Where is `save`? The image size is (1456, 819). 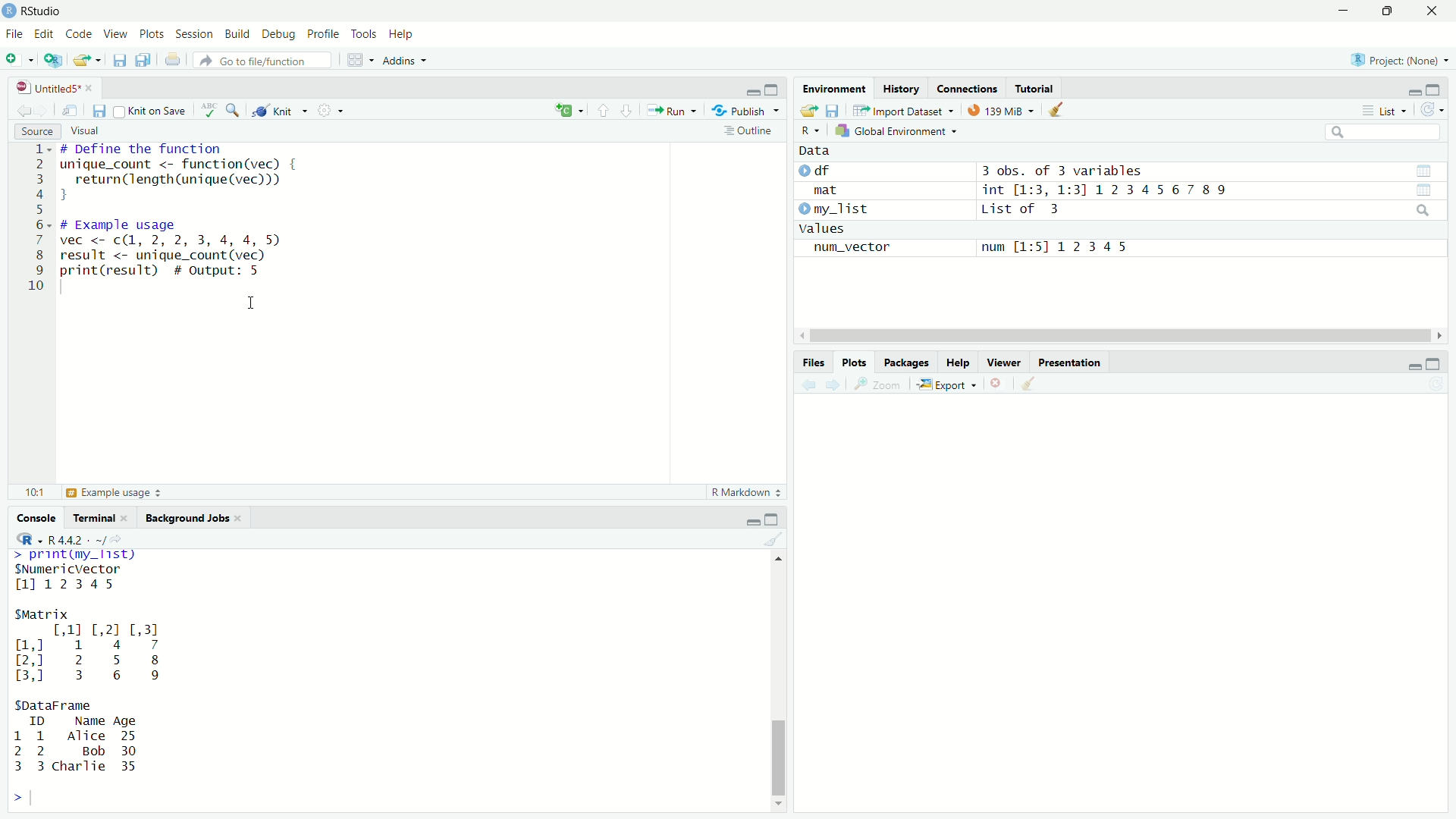
save is located at coordinates (121, 60).